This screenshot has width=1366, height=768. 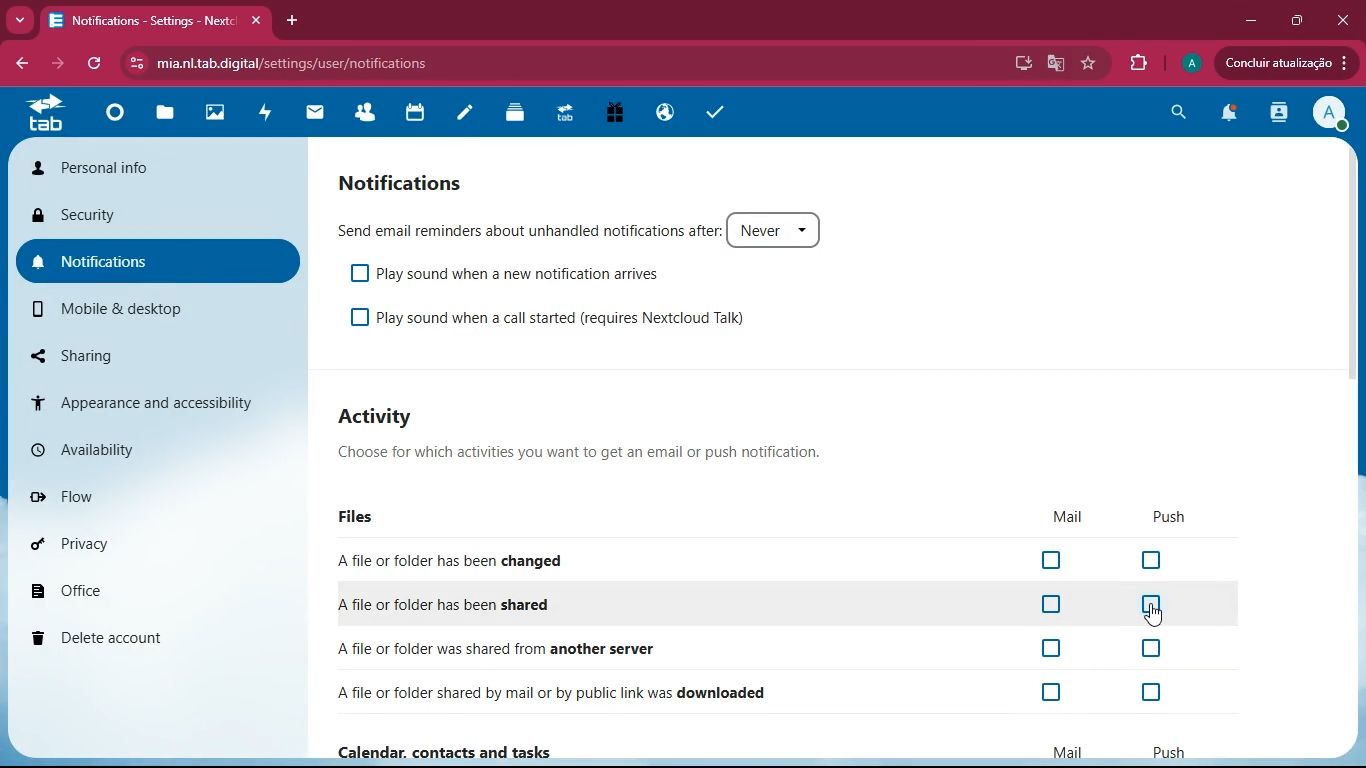 What do you see at coordinates (1053, 694) in the screenshot?
I see `off` at bounding box center [1053, 694].